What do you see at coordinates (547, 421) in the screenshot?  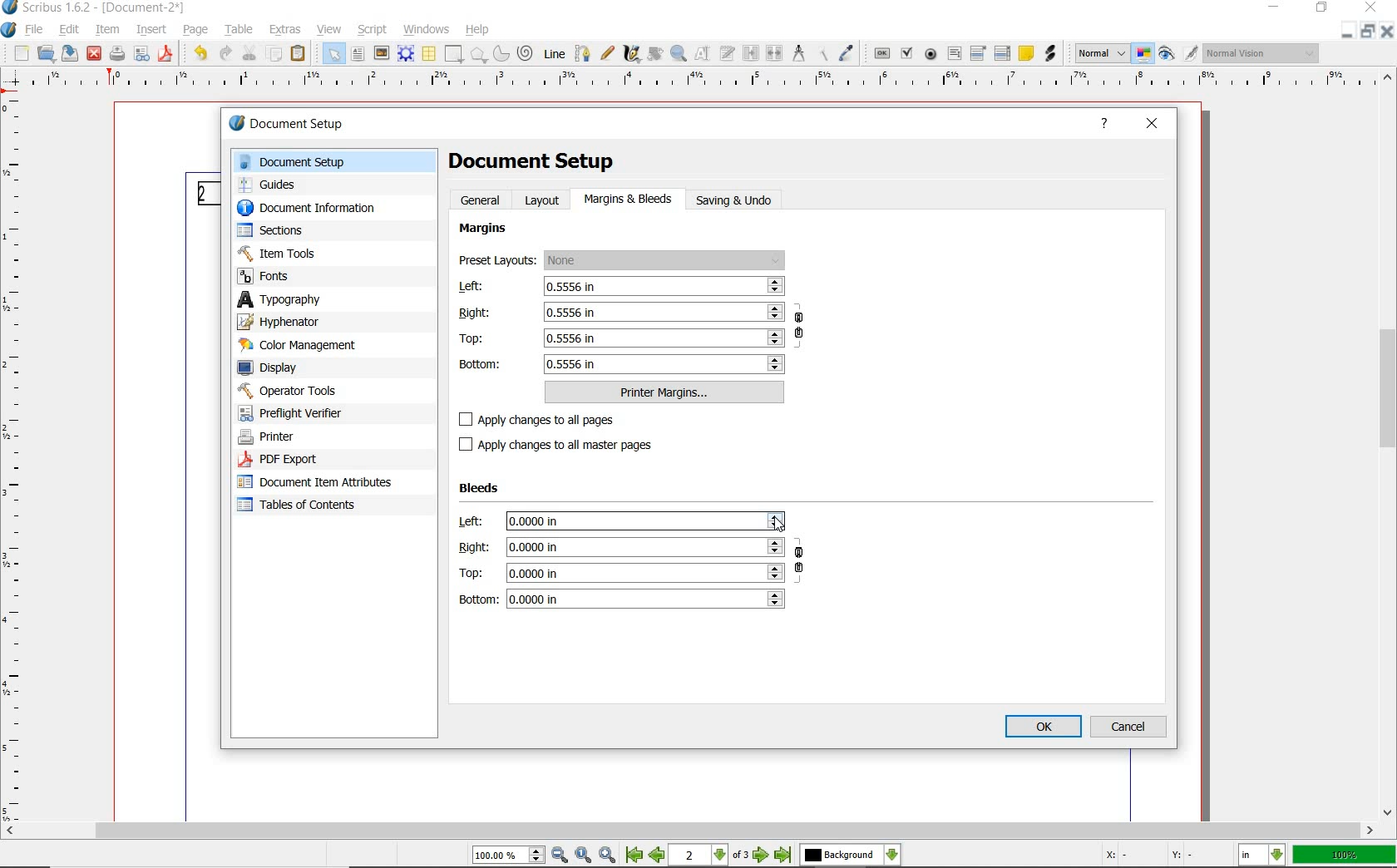 I see `apply changes to all pages` at bounding box center [547, 421].